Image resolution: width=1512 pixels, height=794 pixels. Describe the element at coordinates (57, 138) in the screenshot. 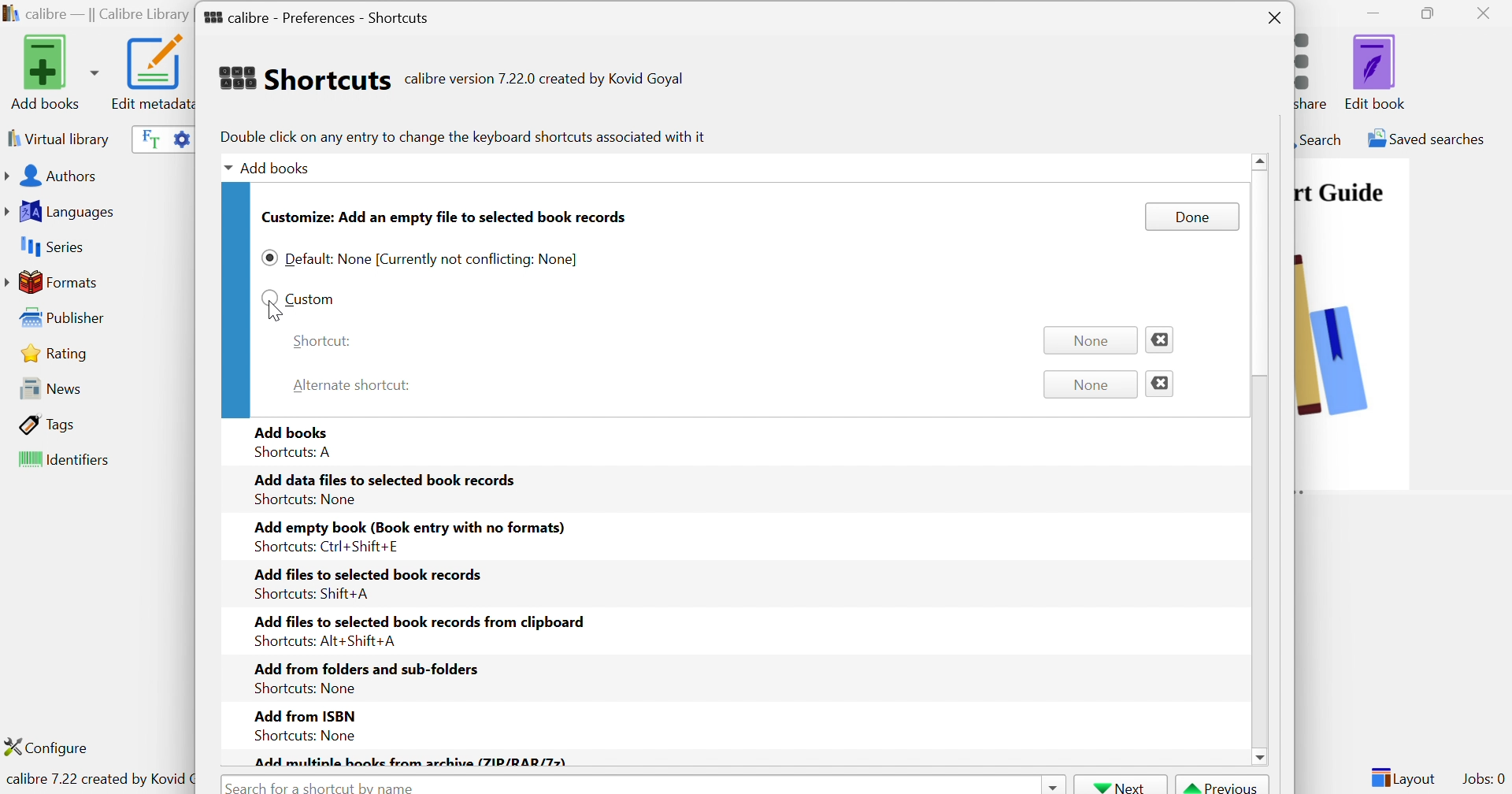

I see `Virtual library` at that location.